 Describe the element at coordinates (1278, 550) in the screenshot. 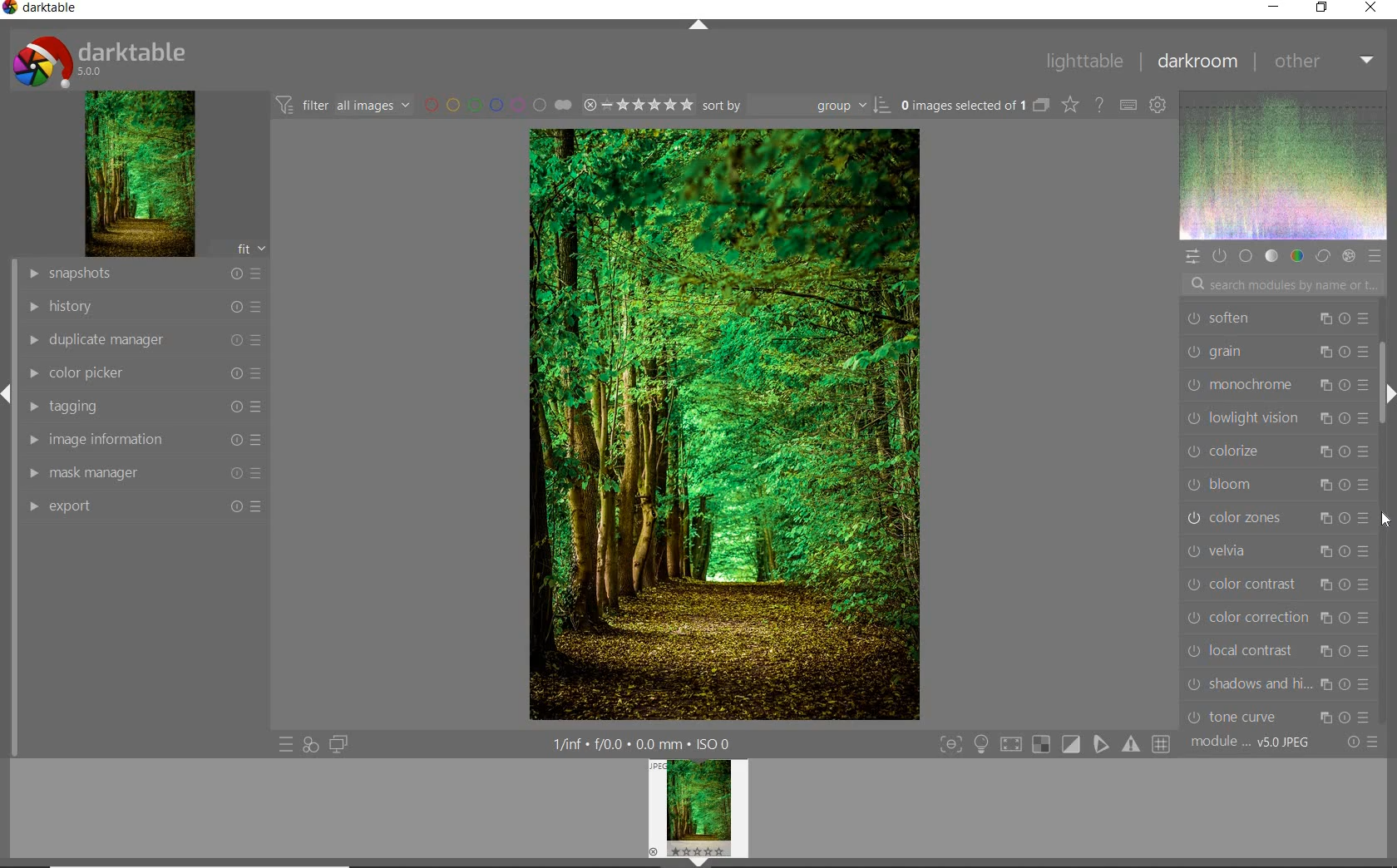

I see `velvia` at that location.